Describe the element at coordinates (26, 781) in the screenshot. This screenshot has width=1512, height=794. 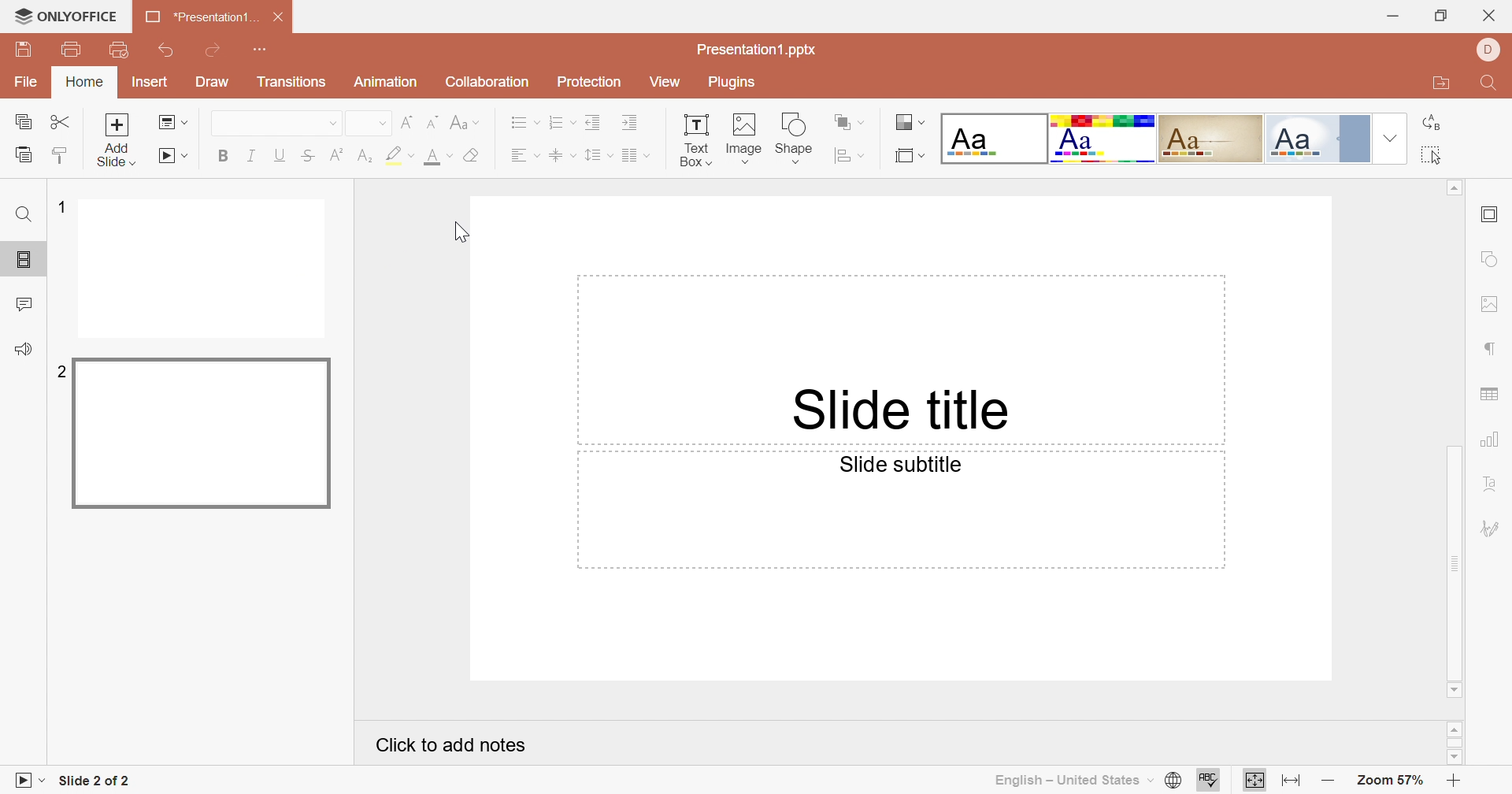
I see `Start slideshow` at that location.